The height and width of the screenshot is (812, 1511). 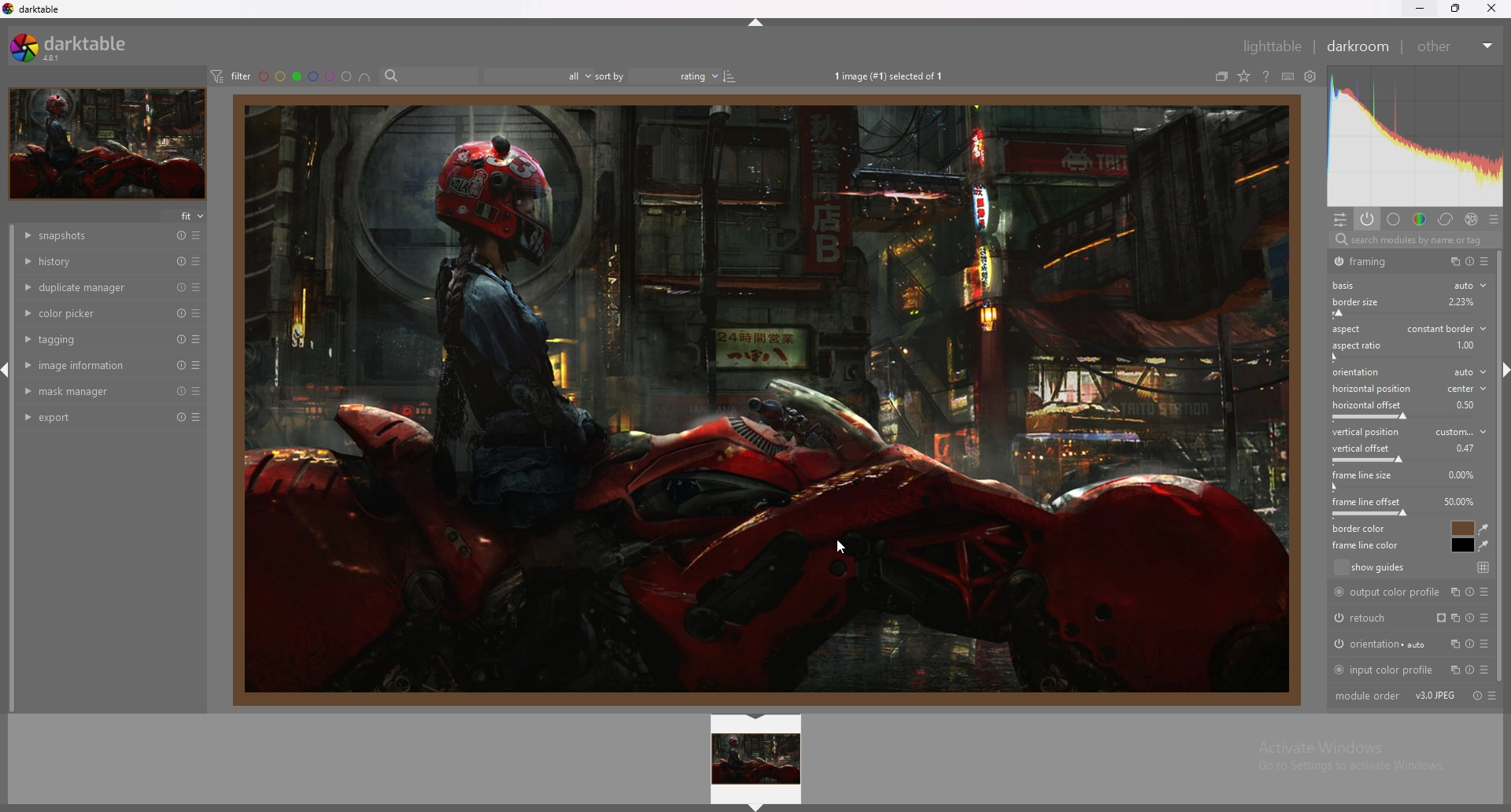 What do you see at coordinates (1402, 488) in the screenshot?
I see `frame line size bar` at bounding box center [1402, 488].